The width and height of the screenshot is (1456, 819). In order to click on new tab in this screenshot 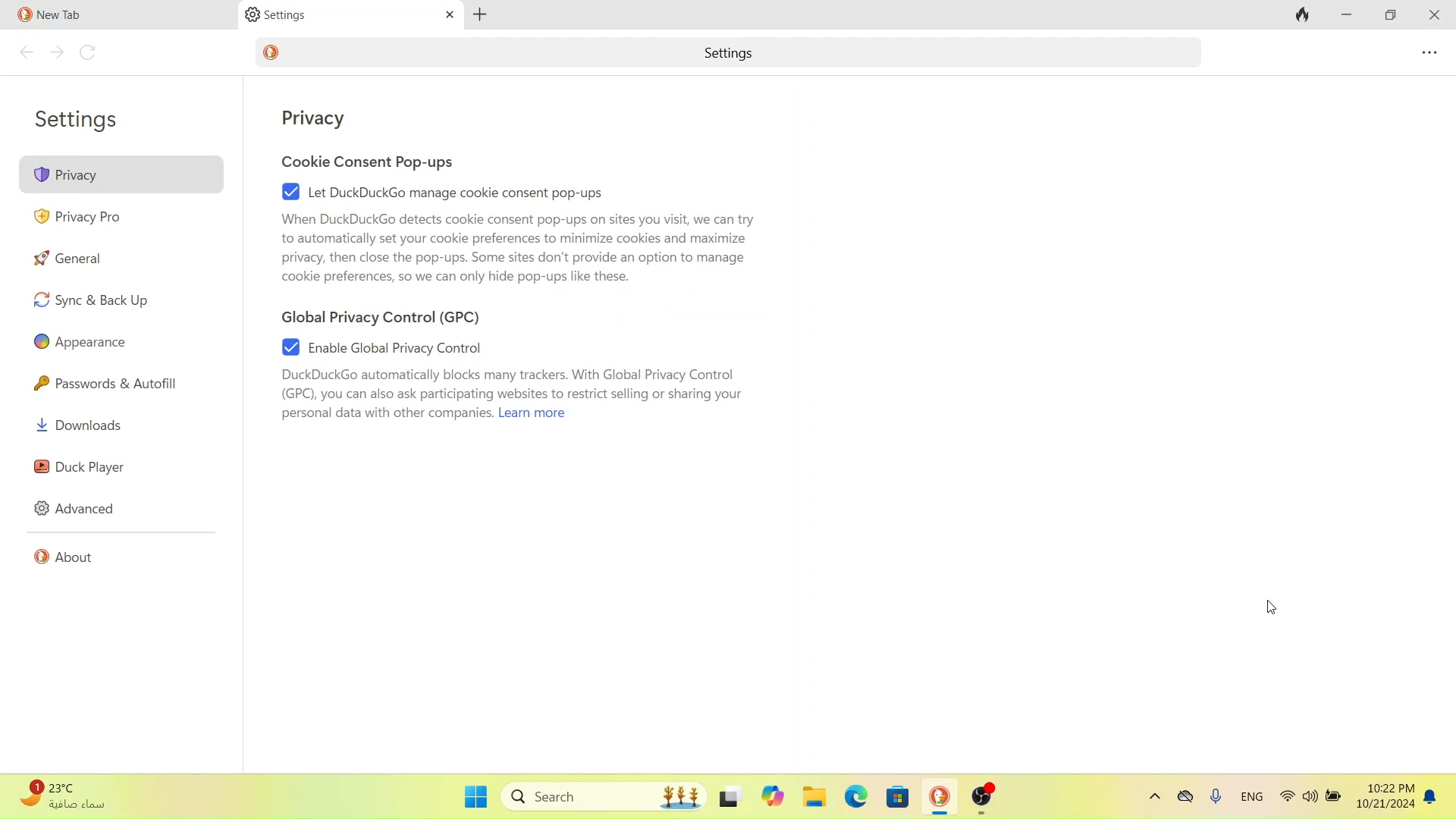, I will do `click(482, 12)`.